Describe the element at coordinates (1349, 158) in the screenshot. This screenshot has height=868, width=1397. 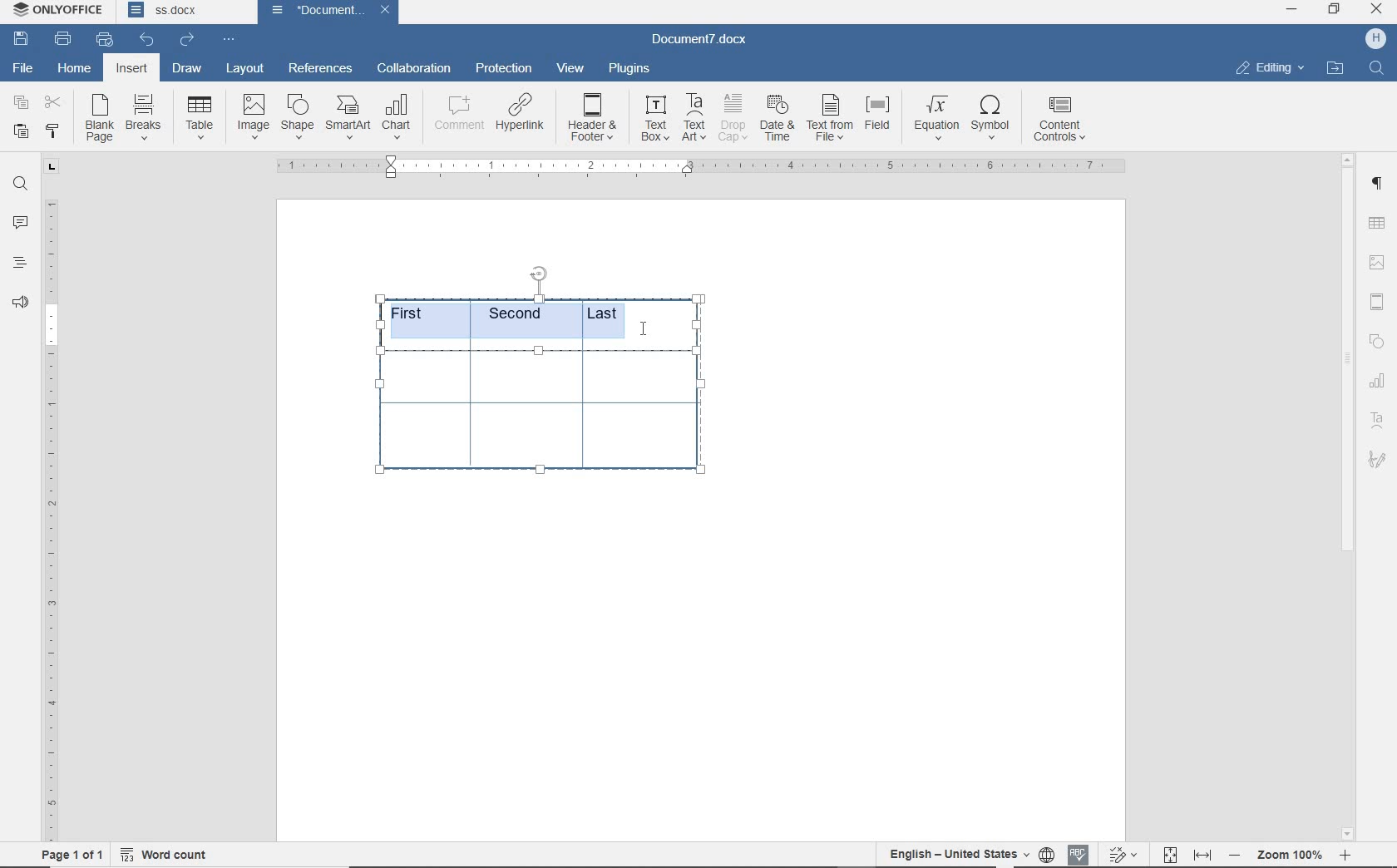
I see `scroll up` at that location.